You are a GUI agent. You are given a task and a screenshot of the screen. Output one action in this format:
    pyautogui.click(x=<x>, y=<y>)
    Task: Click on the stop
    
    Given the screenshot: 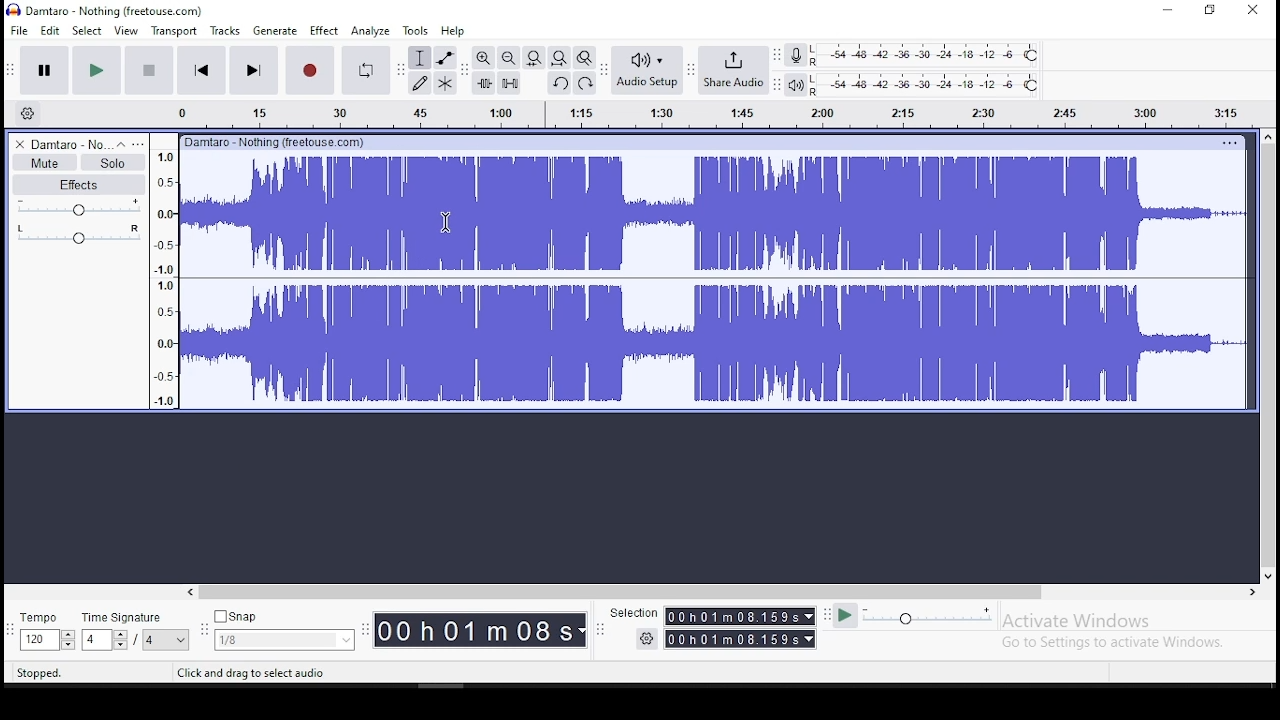 What is the action you would take?
    pyautogui.click(x=149, y=69)
    